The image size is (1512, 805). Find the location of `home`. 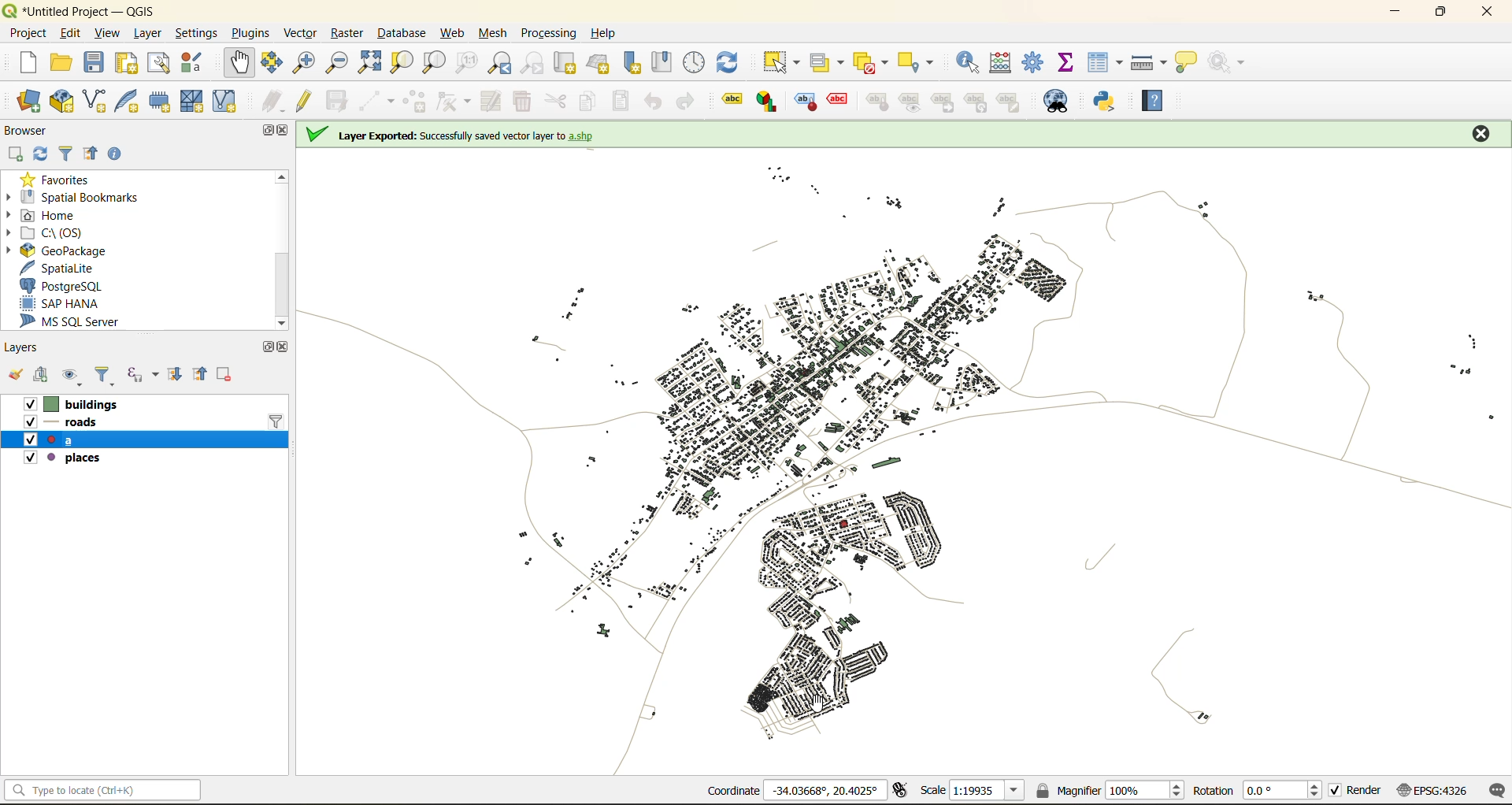

home is located at coordinates (58, 215).